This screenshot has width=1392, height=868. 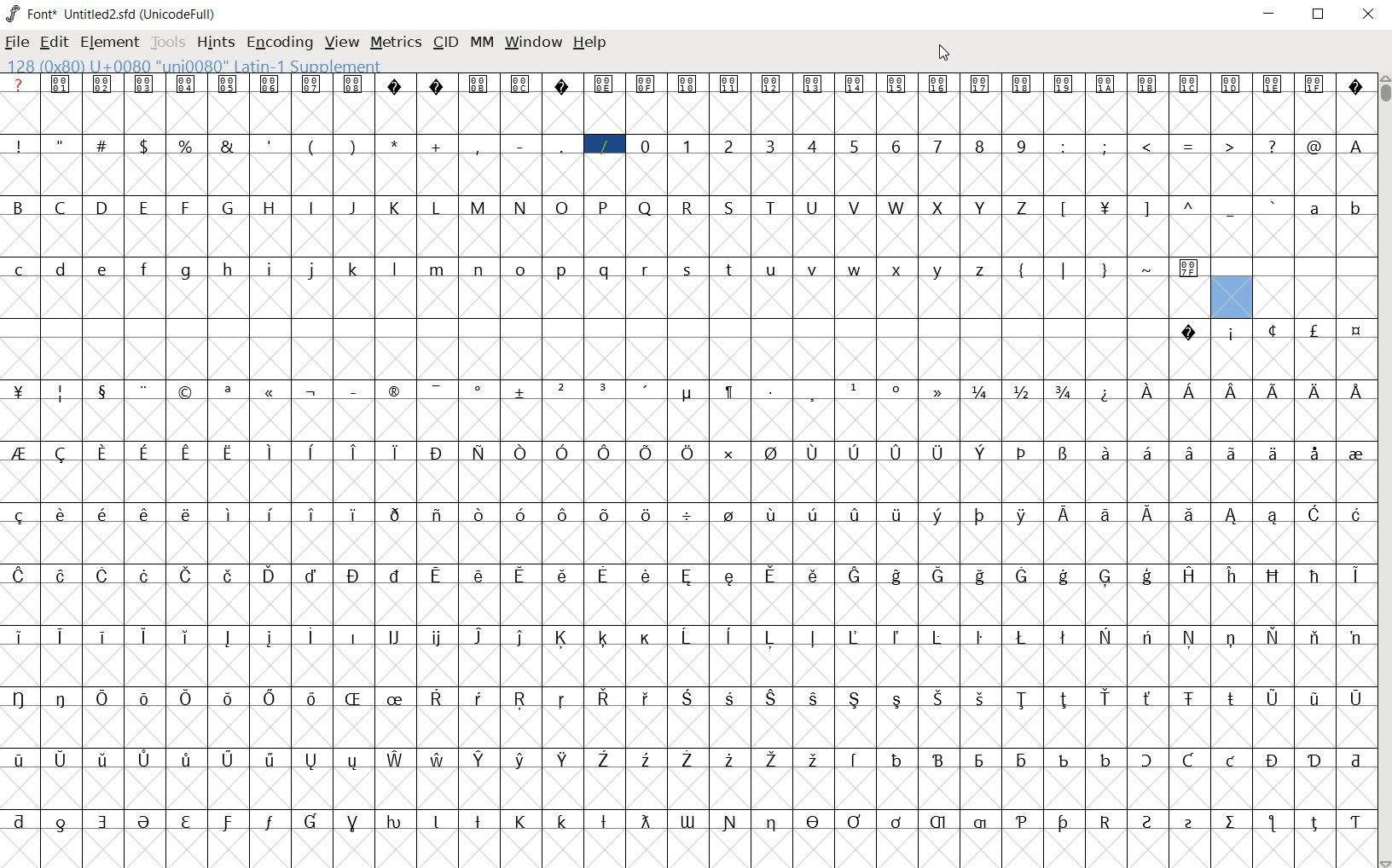 I want to click on glyph, so click(x=187, y=514).